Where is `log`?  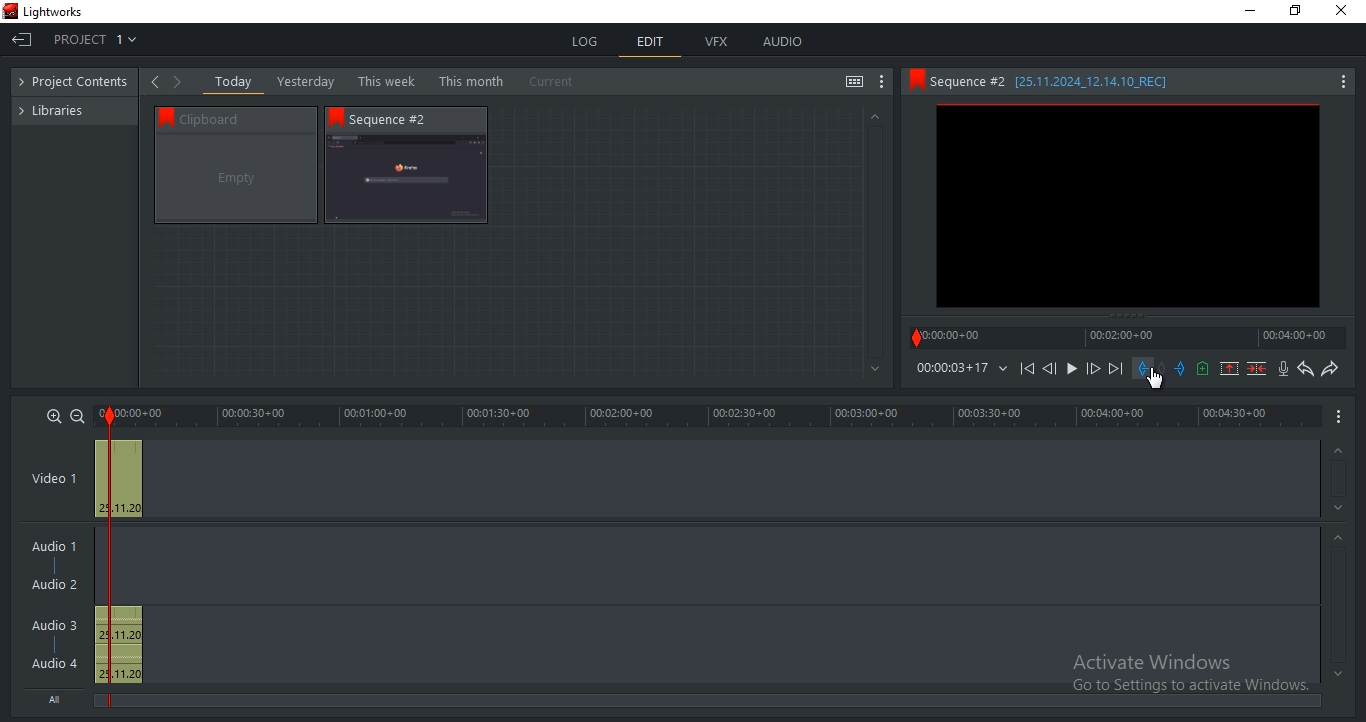 log is located at coordinates (587, 41).